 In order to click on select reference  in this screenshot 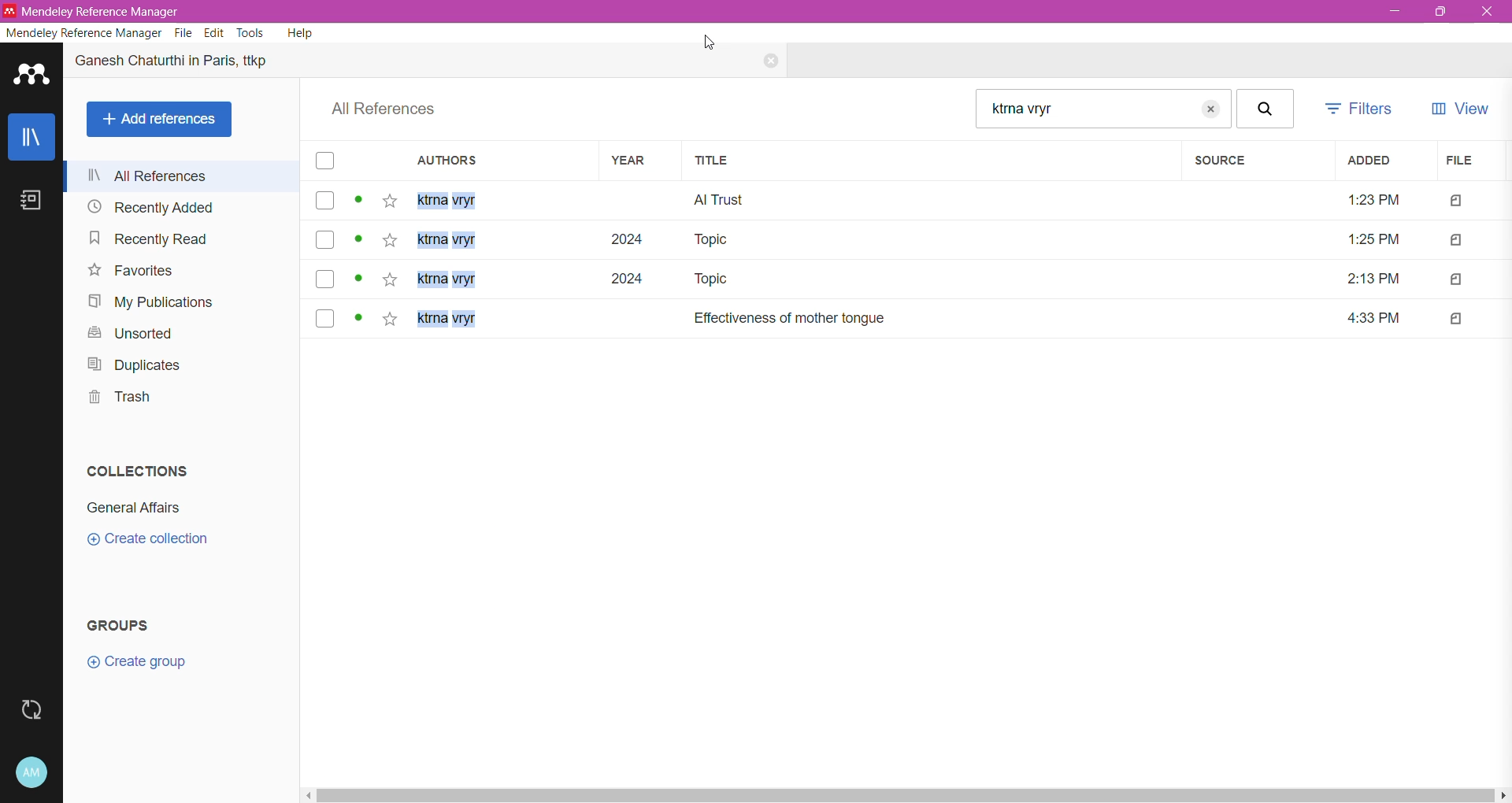, I will do `click(324, 278)`.